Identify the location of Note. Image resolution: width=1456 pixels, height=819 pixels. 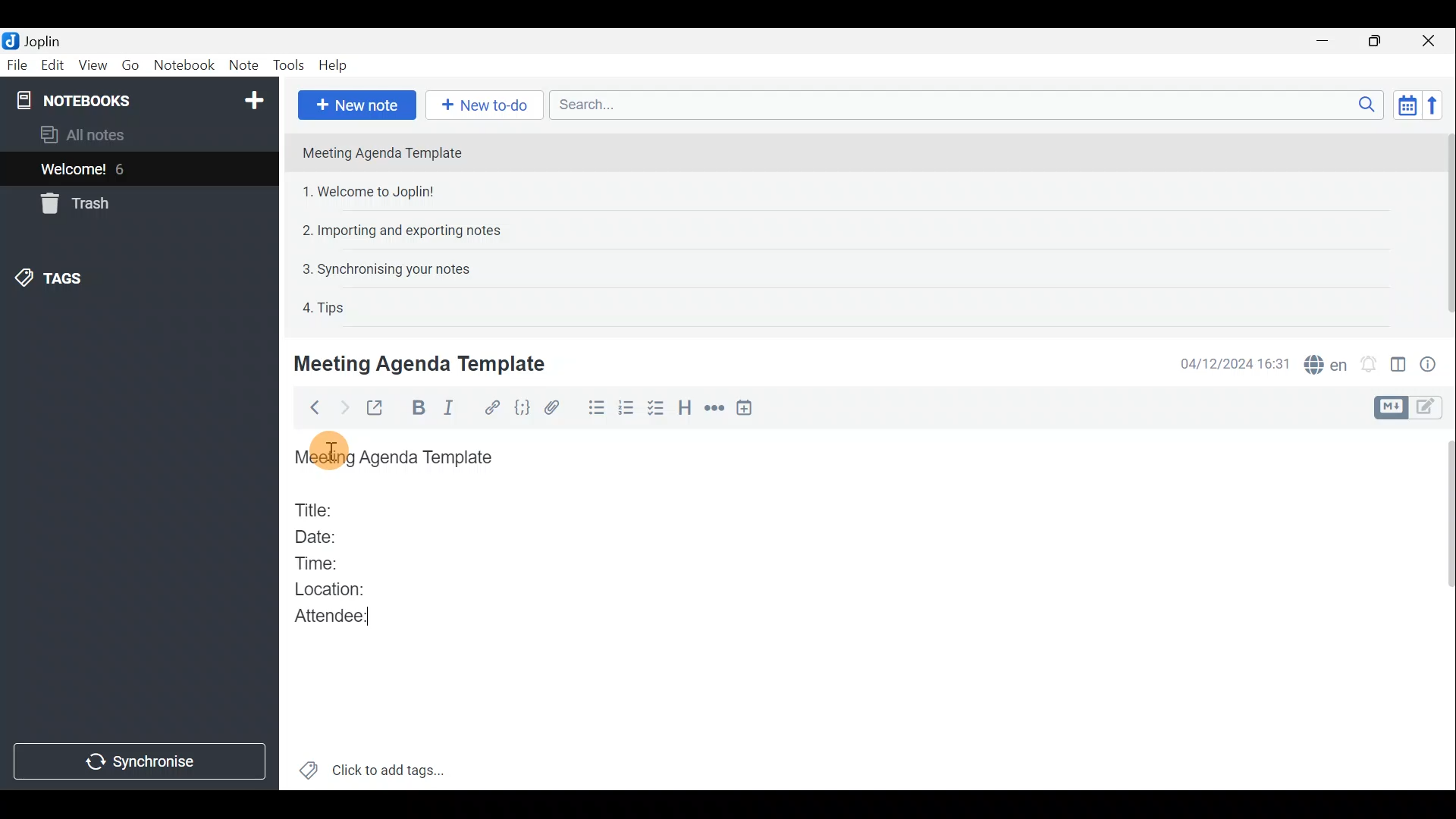
(242, 62).